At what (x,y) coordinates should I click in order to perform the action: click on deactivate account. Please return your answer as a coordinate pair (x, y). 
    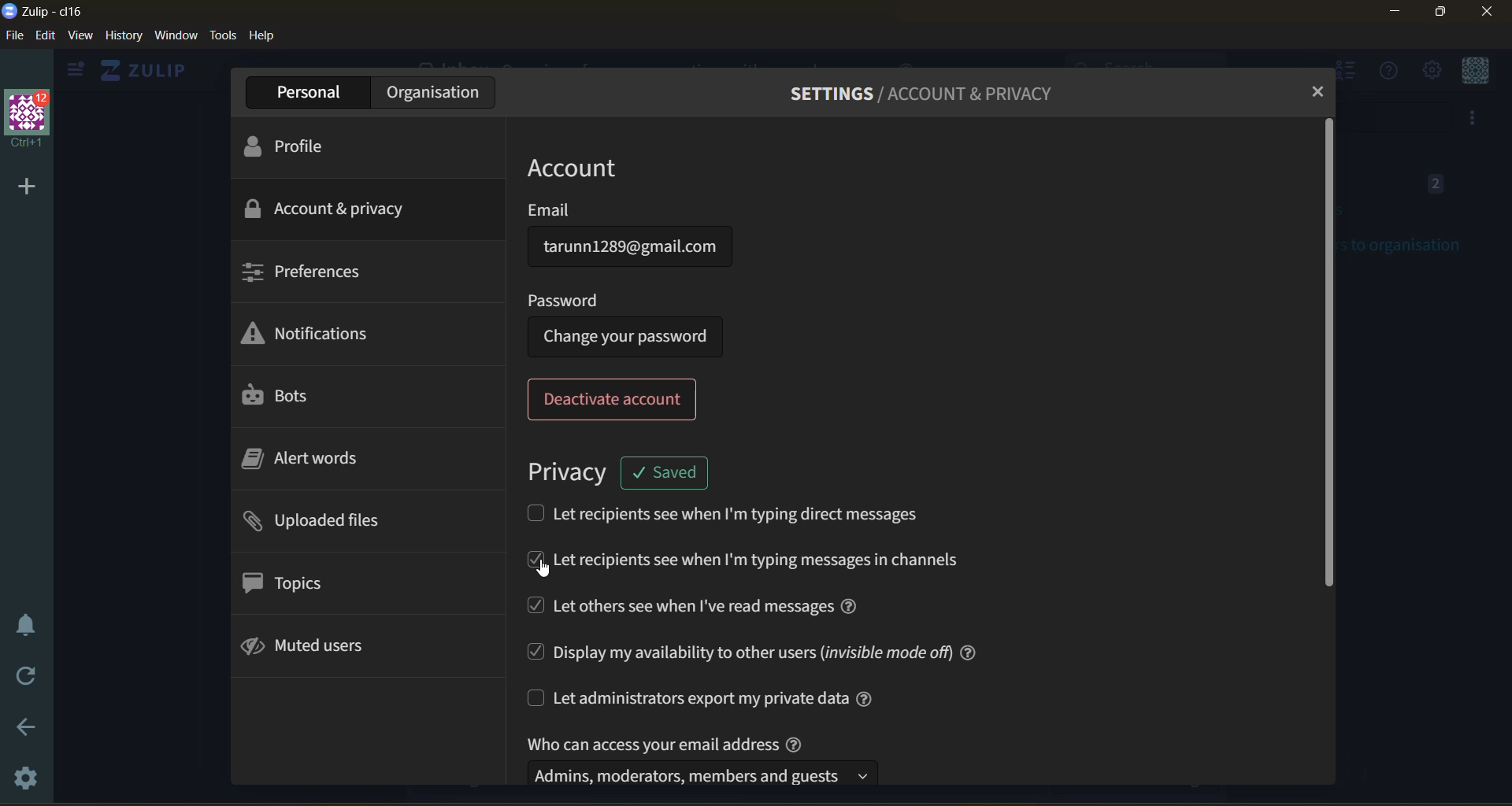
    Looking at the image, I should click on (617, 400).